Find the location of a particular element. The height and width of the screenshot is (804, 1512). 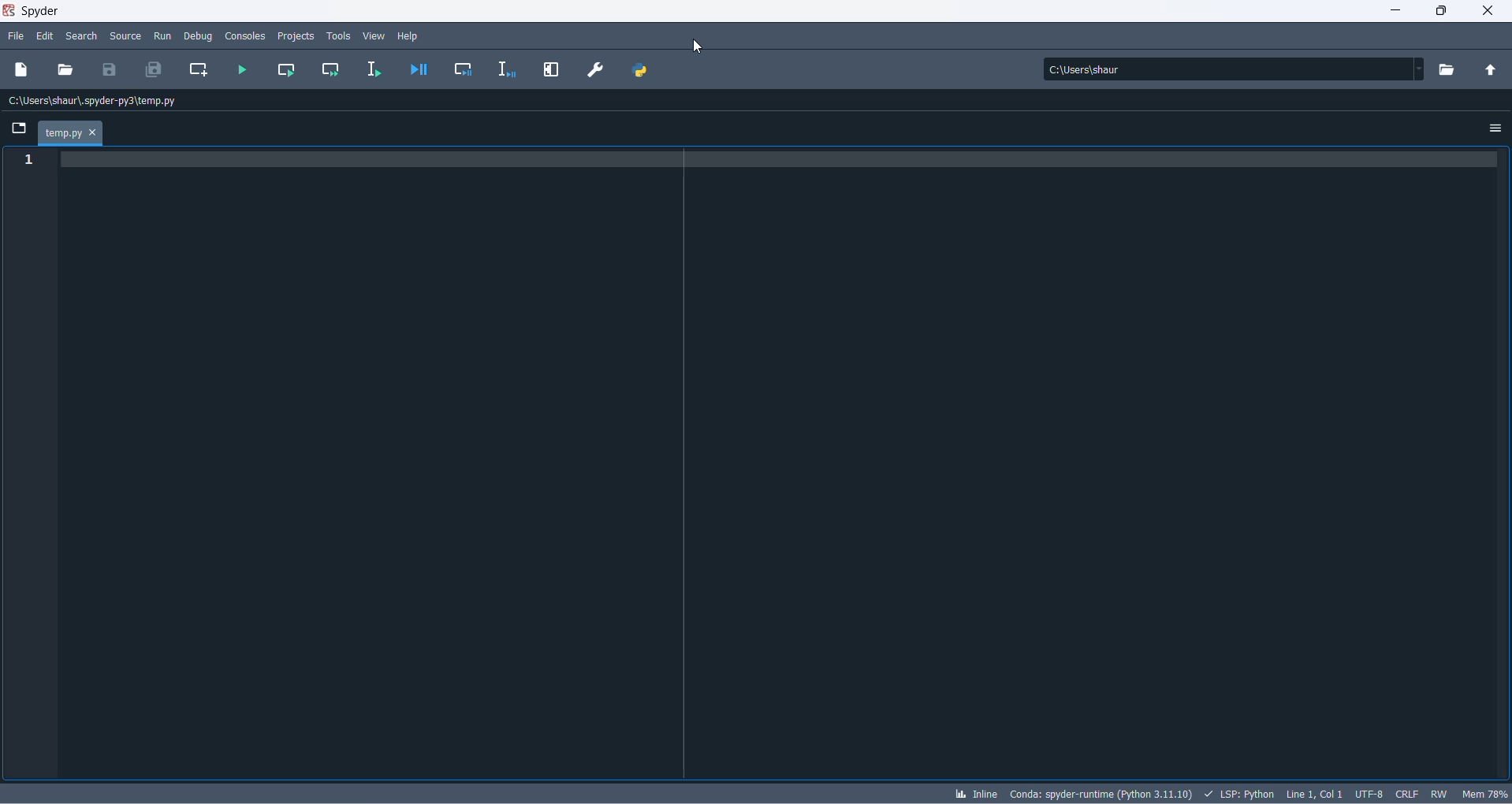

inline is located at coordinates (975, 795).